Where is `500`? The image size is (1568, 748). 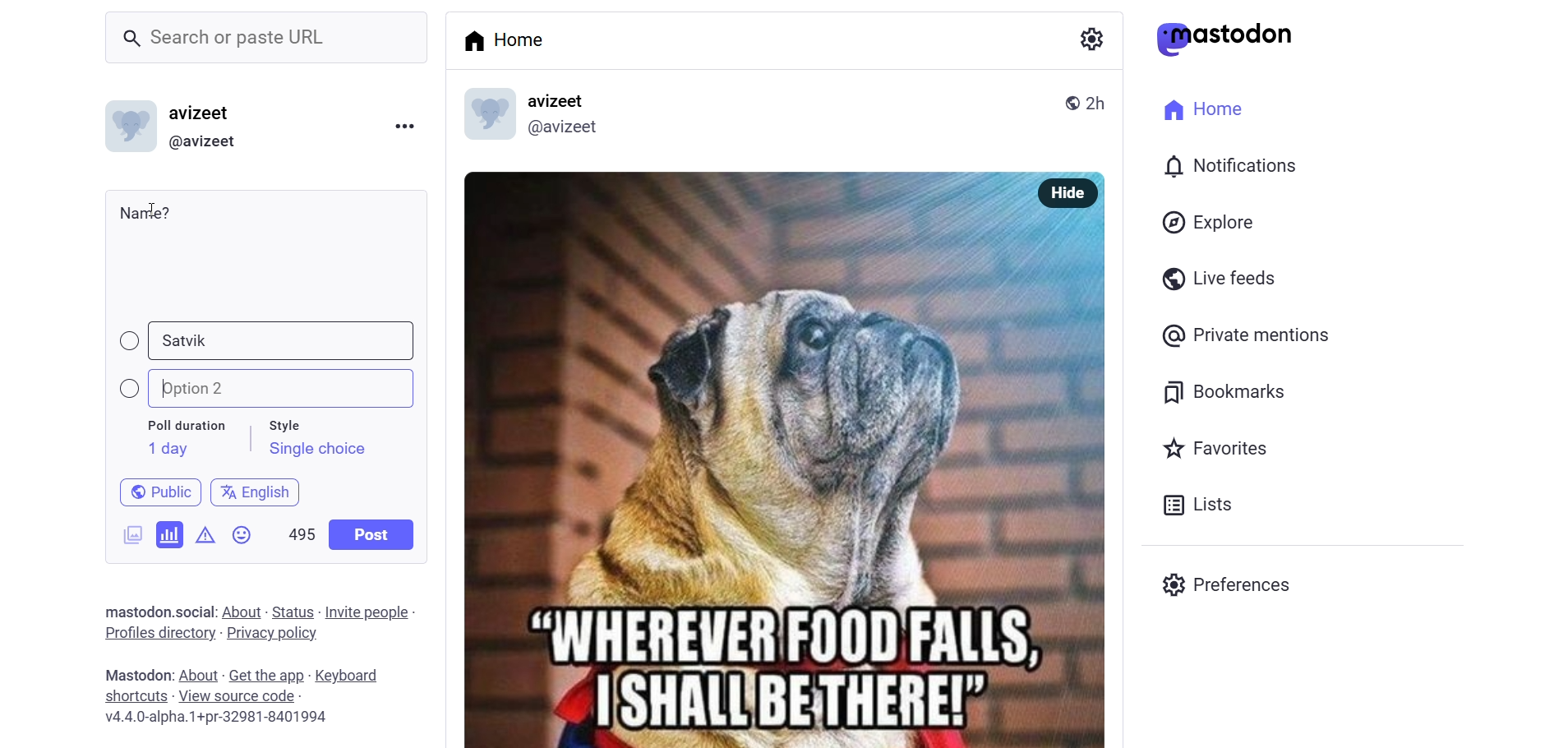
500 is located at coordinates (300, 531).